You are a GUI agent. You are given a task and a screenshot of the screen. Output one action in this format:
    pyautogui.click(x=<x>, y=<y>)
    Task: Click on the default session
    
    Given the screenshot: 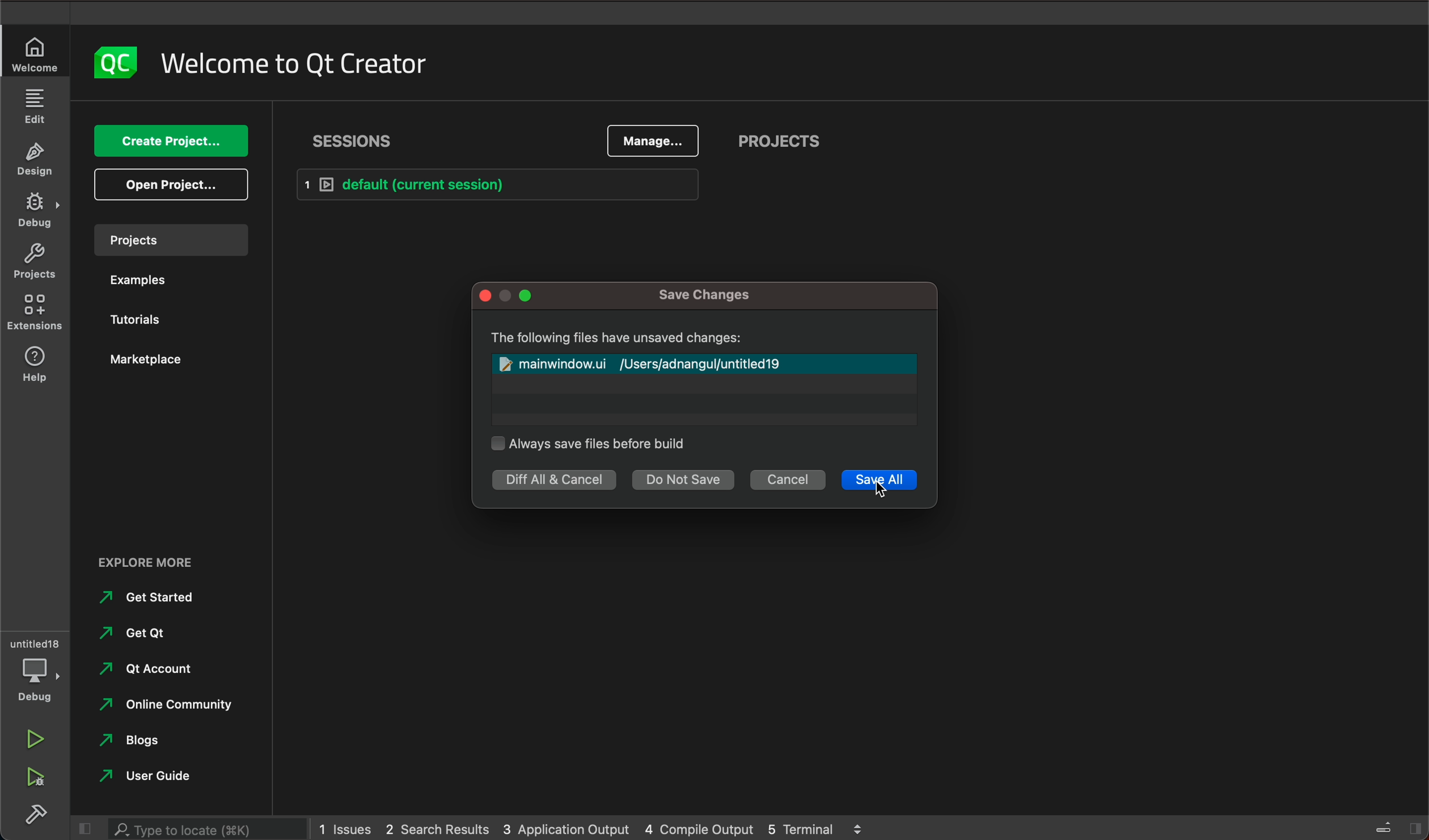 What is the action you would take?
    pyautogui.click(x=501, y=185)
    